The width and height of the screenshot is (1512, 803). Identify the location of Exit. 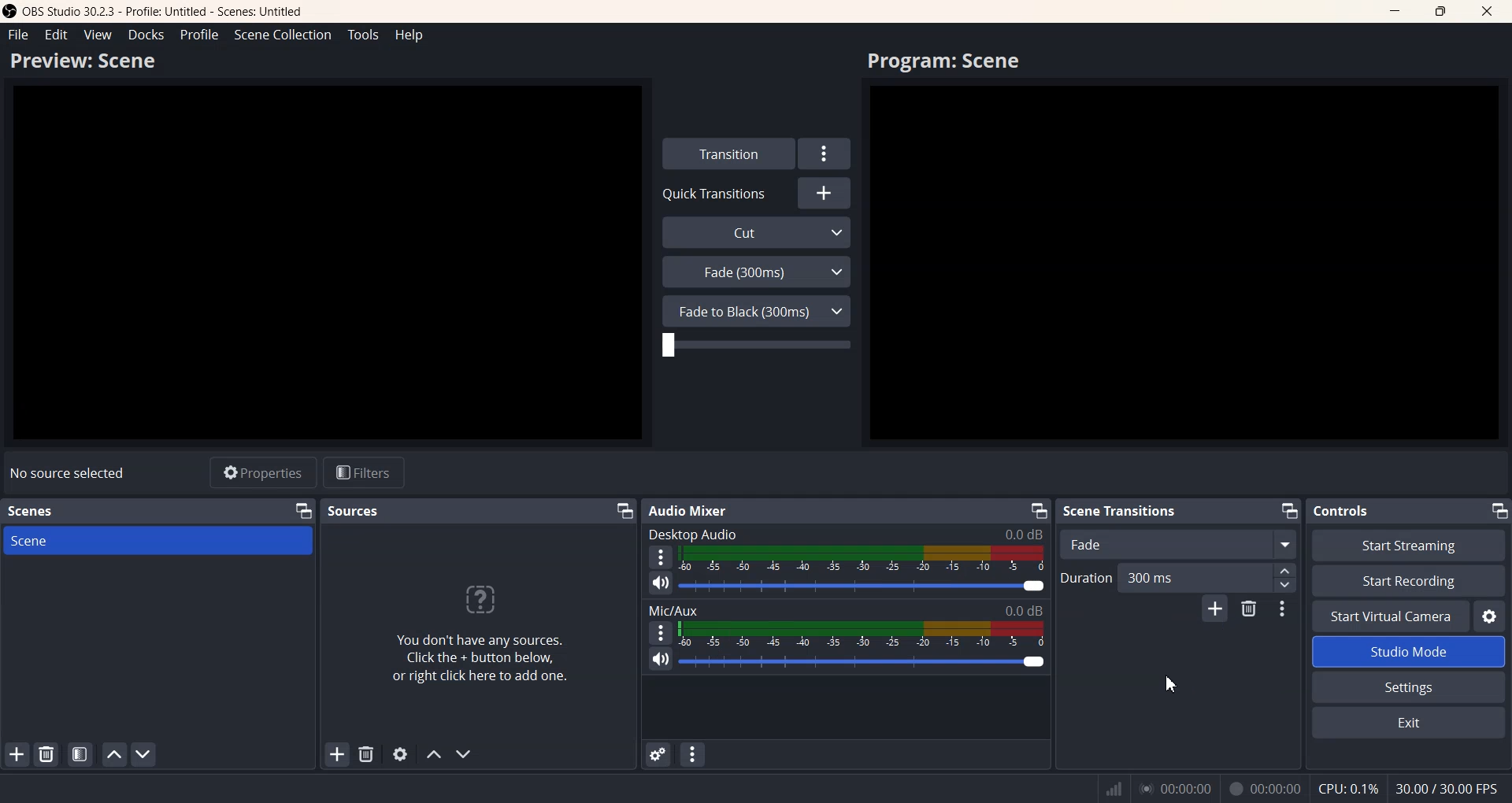
(1410, 723).